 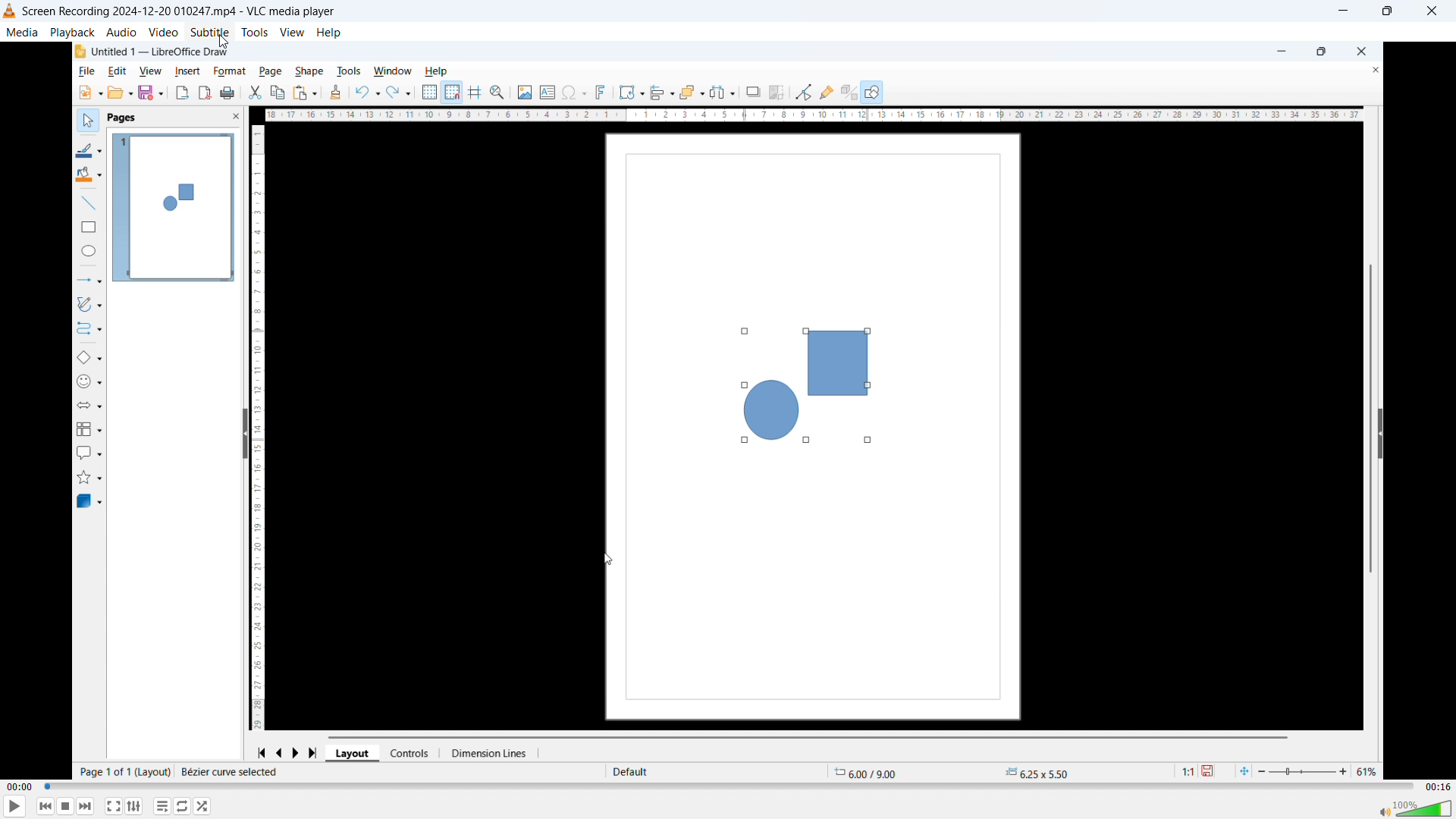 I want to click on fill bar, so click(x=88, y=176).